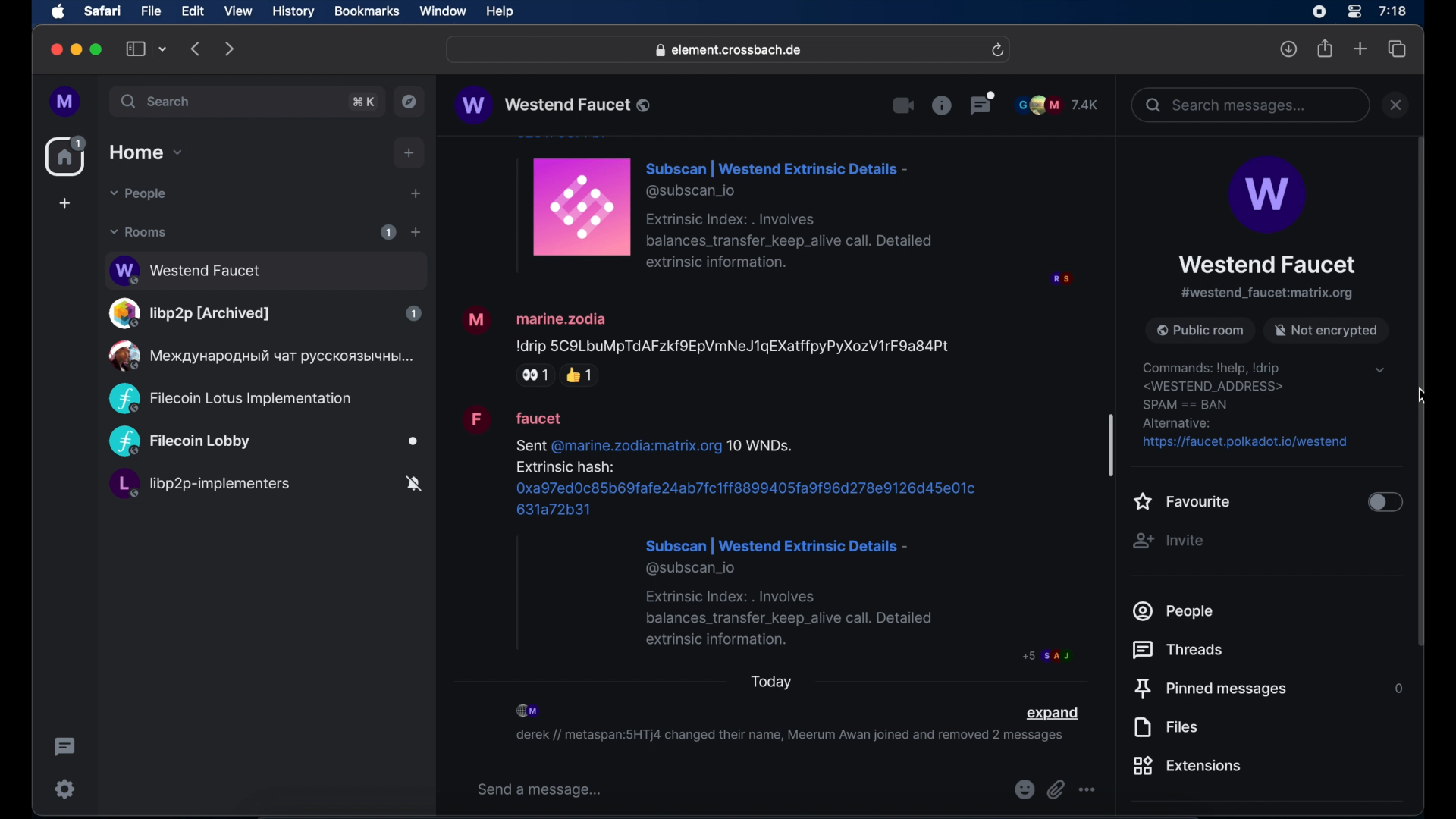 This screenshot has width=1456, height=819. Describe the element at coordinates (941, 105) in the screenshot. I see `information` at that location.